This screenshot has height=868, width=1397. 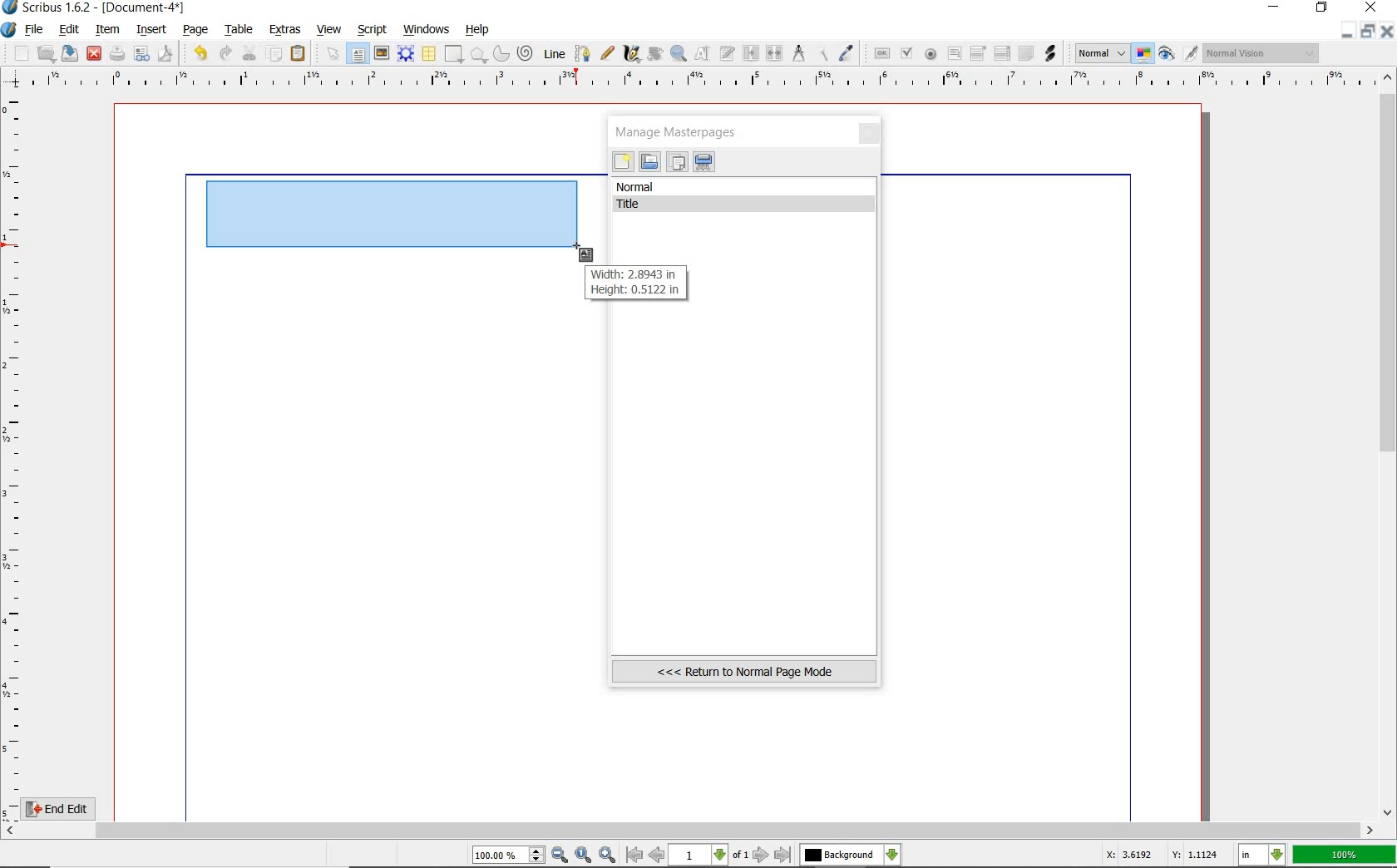 I want to click on preflight verifier, so click(x=142, y=55).